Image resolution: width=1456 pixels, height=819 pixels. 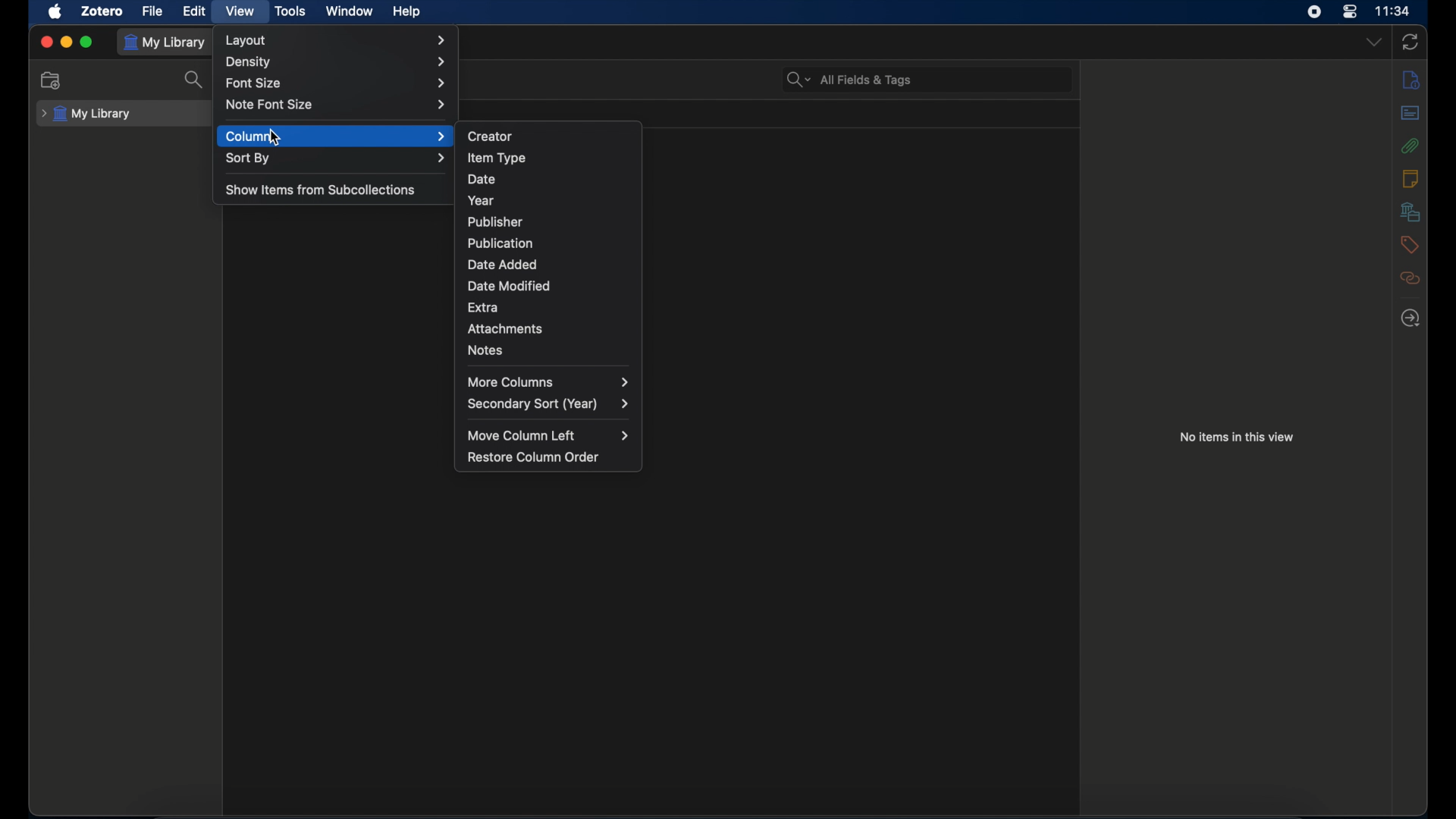 I want to click on libraries, so click(x=1410, y=212).